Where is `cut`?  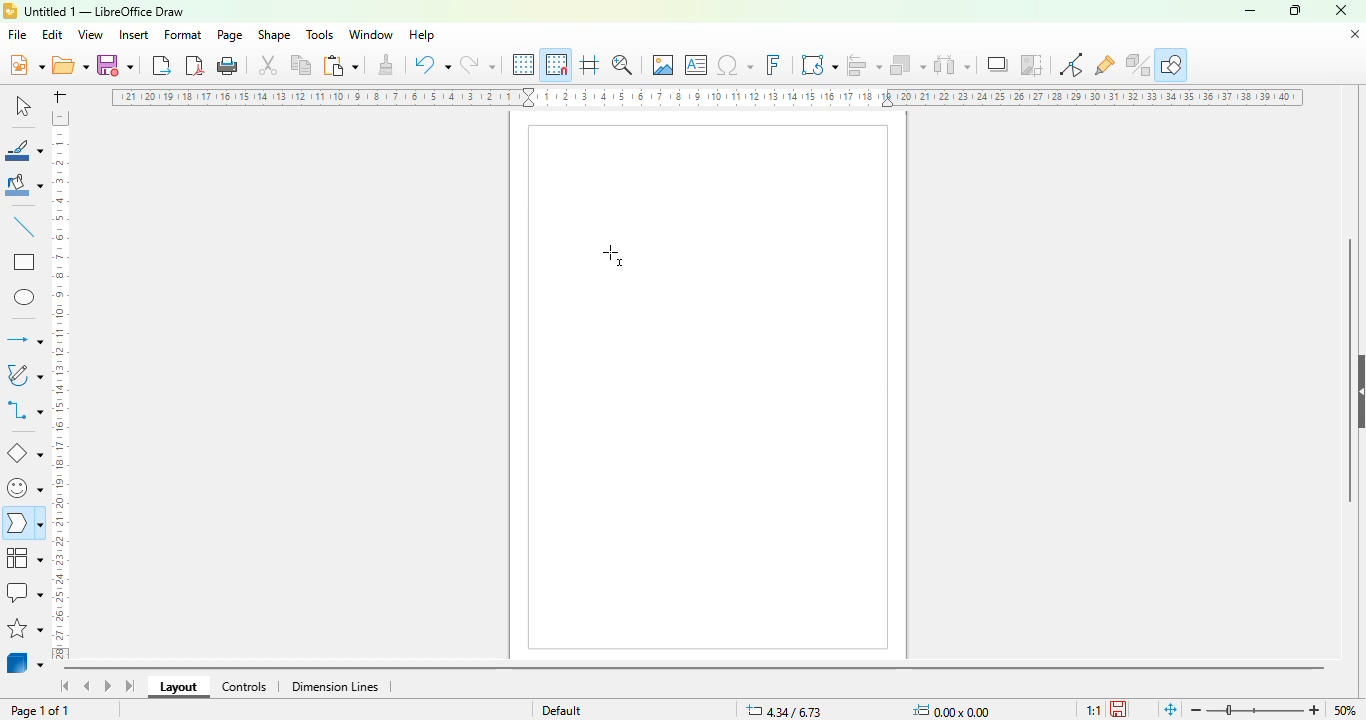 cut is located at coordinates (268, 65).